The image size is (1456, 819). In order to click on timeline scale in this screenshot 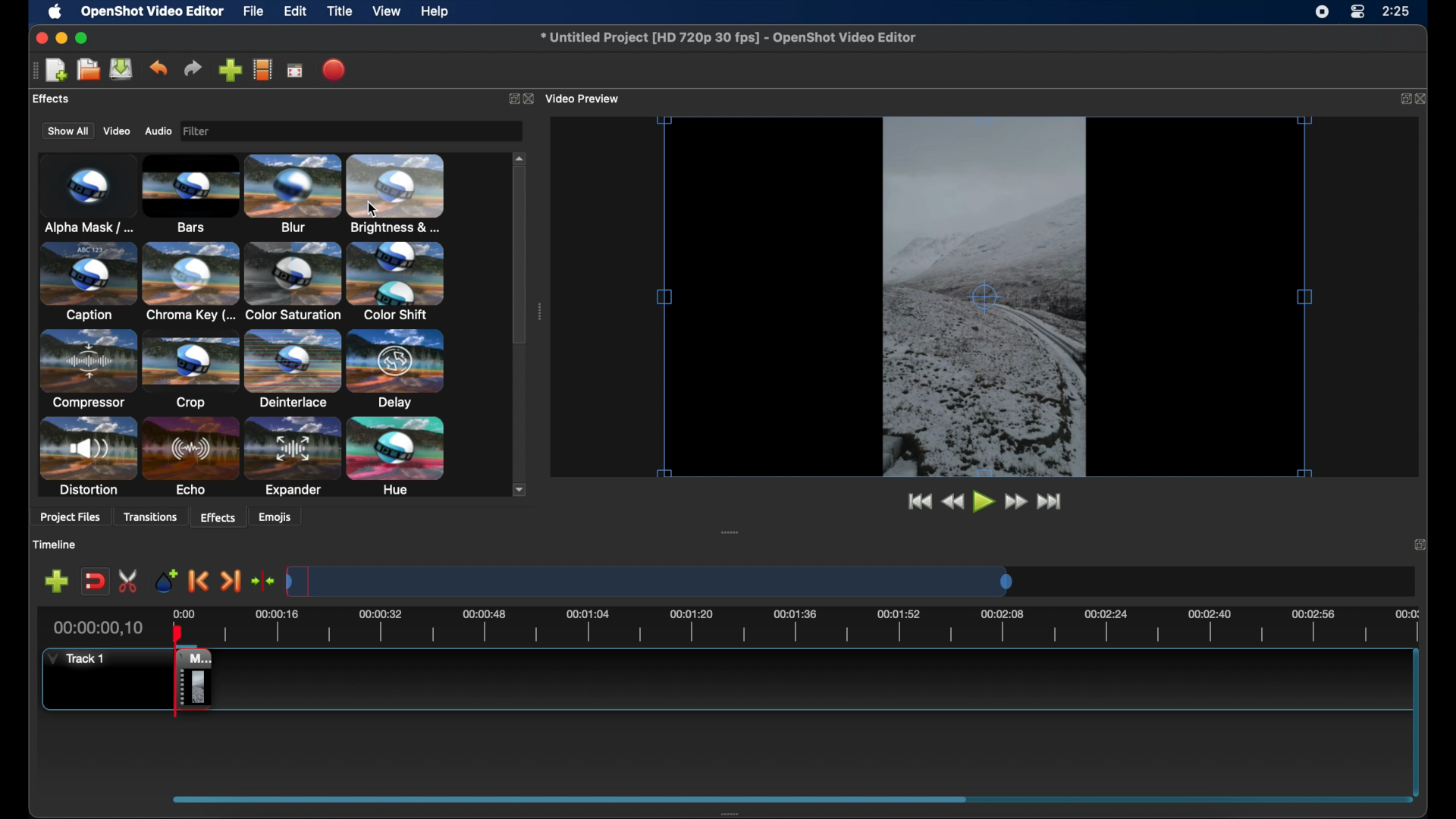, I will do `click(649, 580)`.